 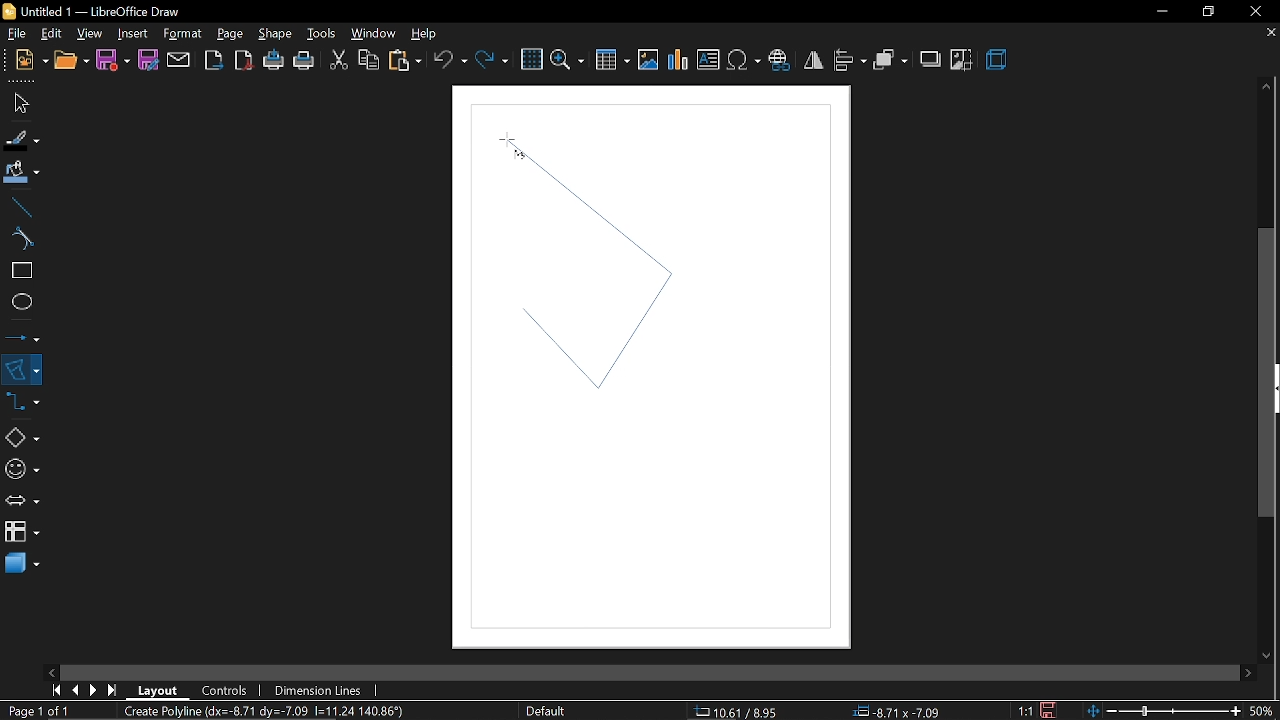 I want to click on dimension, so click(x=318, y=689).